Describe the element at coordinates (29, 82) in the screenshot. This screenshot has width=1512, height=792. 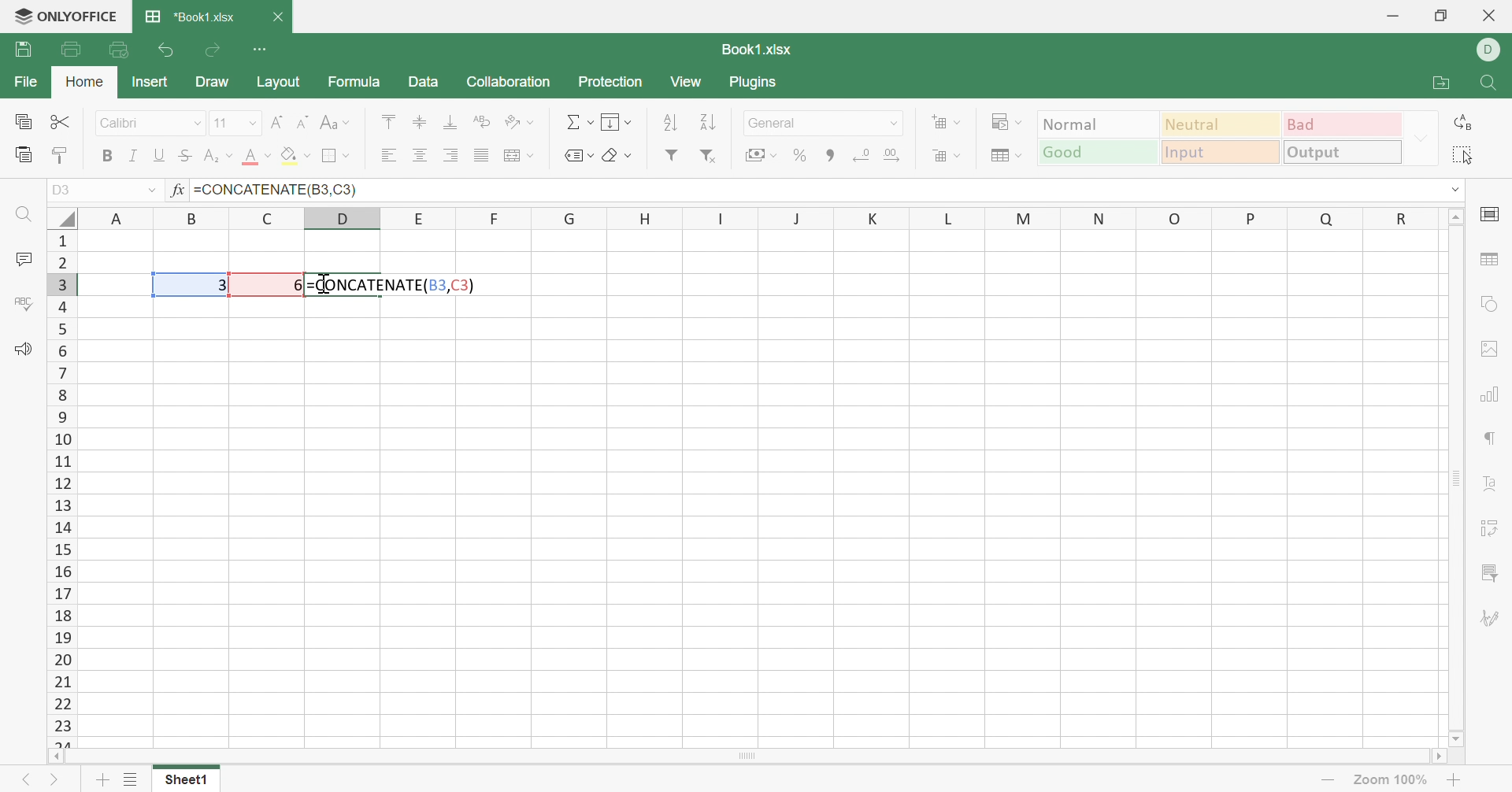
I see `File` at that location.